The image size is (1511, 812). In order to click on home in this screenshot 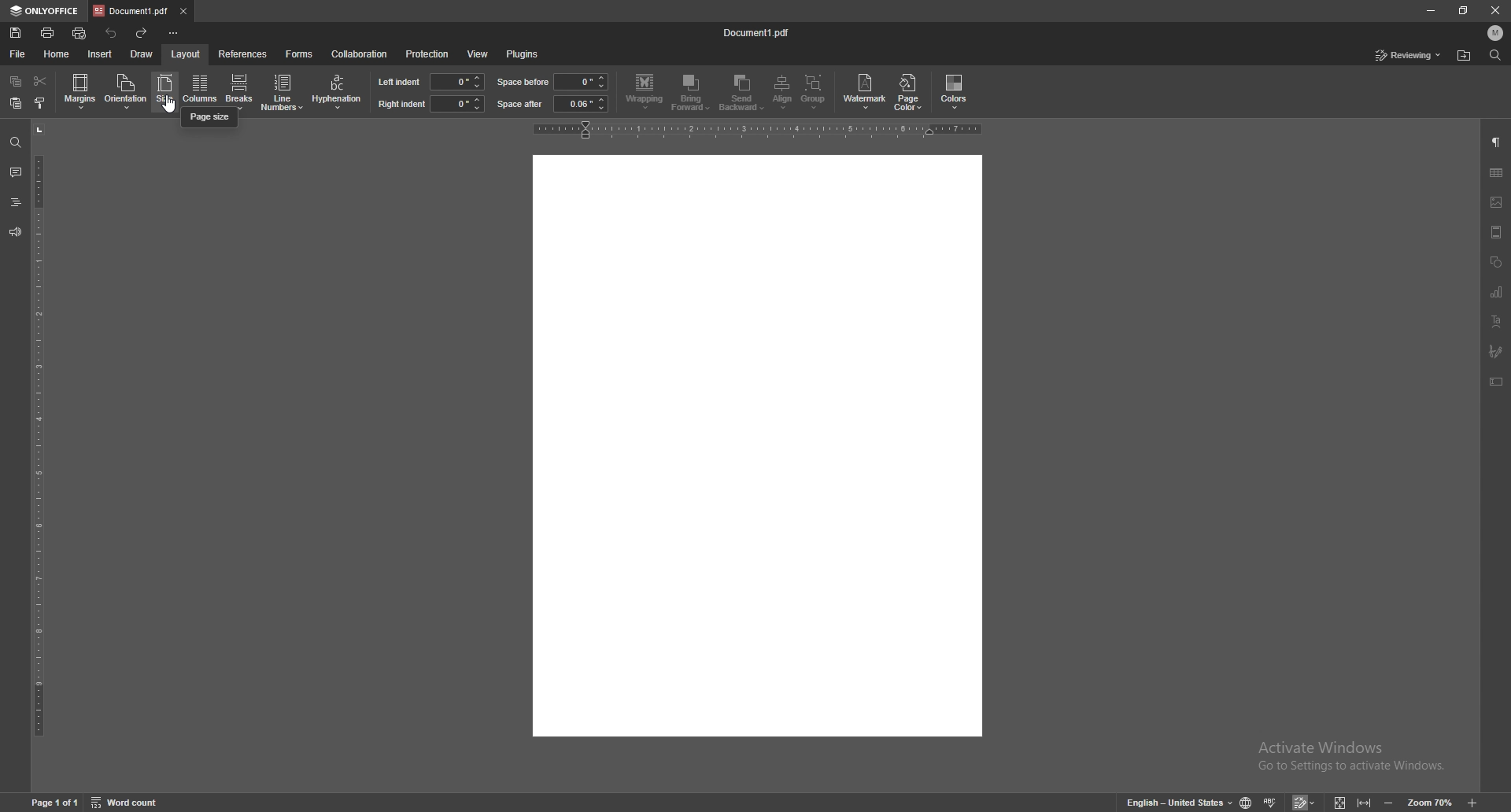, I will do `click(57, 54)`.